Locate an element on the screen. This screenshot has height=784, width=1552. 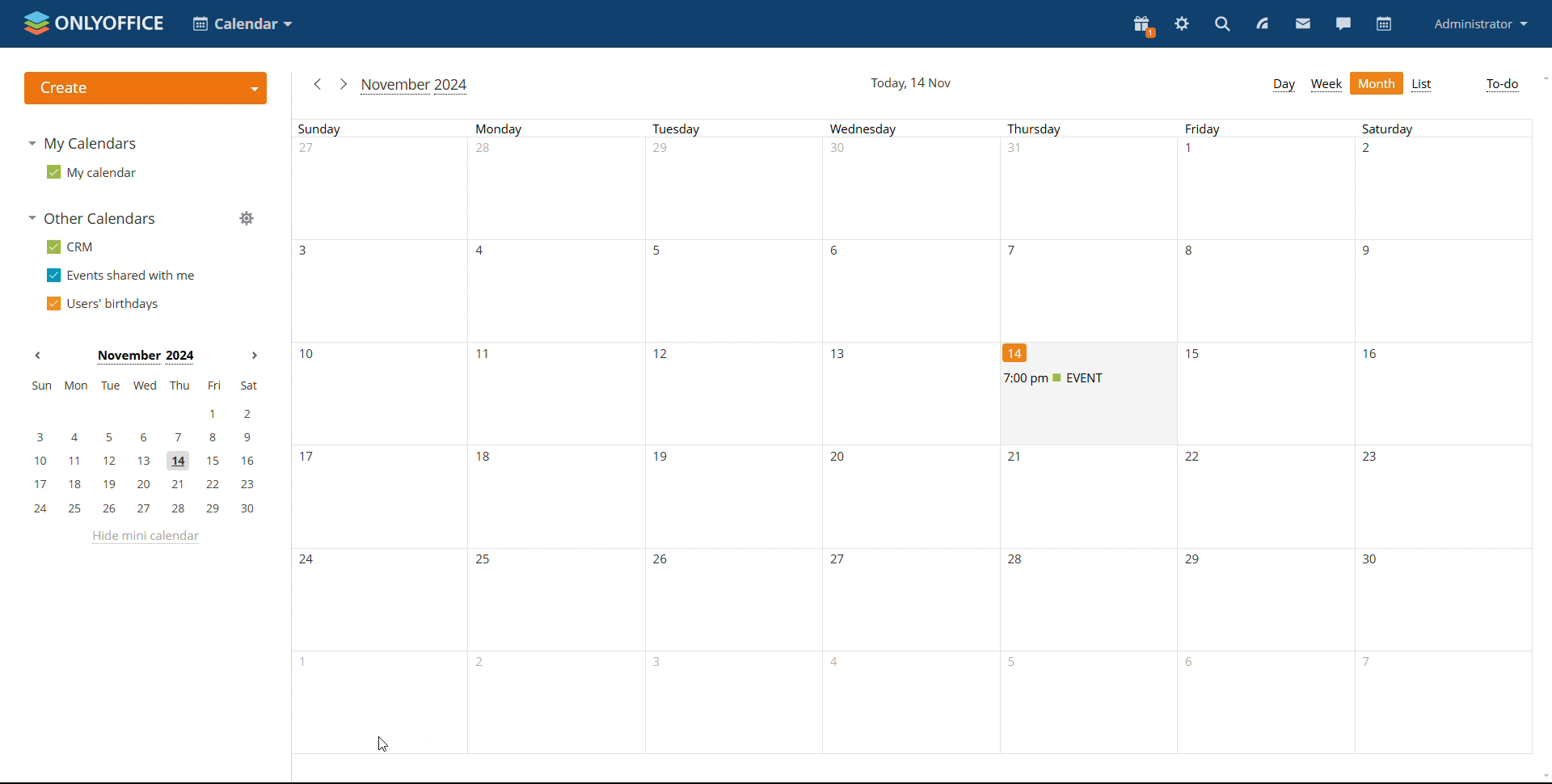
scroll up is located at coordinates (1542, 78).